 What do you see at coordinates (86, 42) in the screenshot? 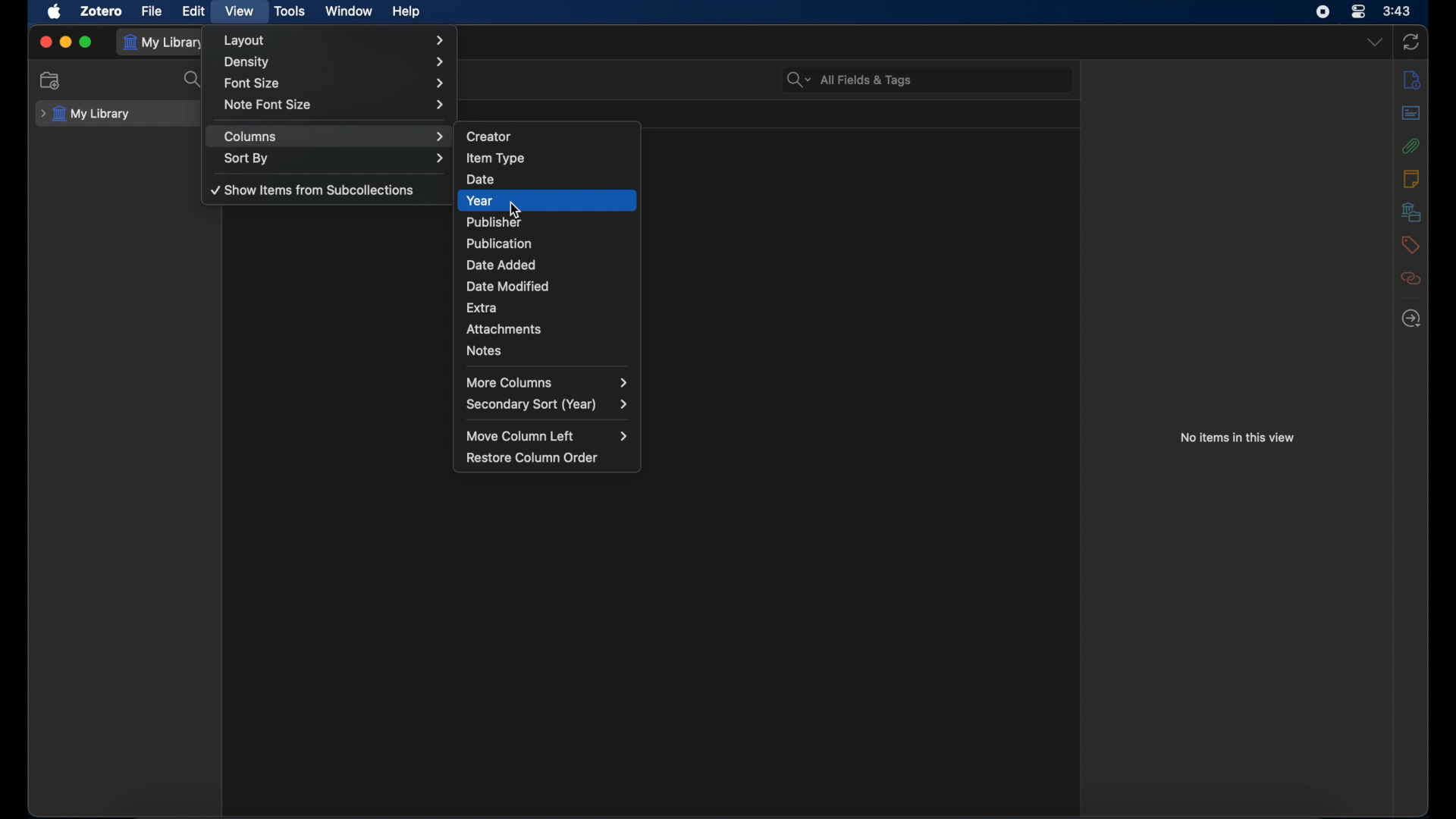
I see `maximize` at bounding box center [86, 42].